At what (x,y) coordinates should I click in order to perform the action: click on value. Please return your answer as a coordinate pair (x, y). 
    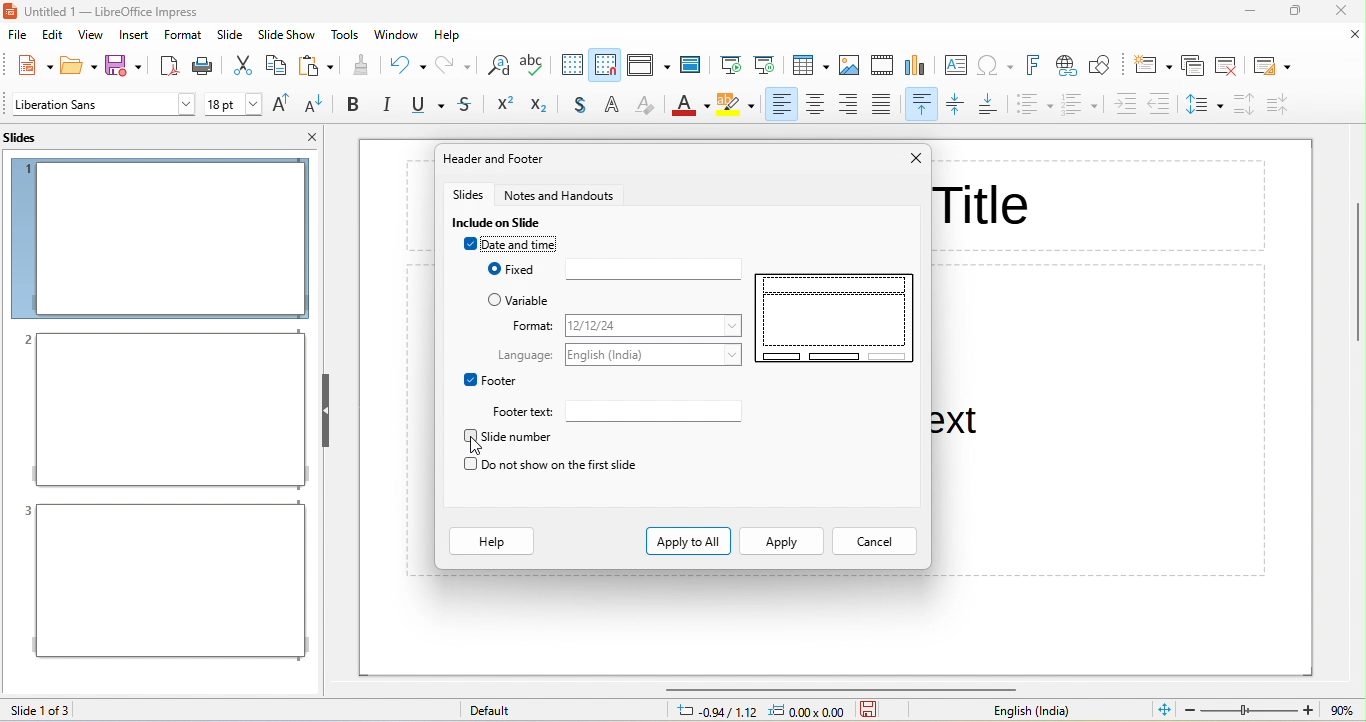
    Looking at the image, I should click on (1340, 710).